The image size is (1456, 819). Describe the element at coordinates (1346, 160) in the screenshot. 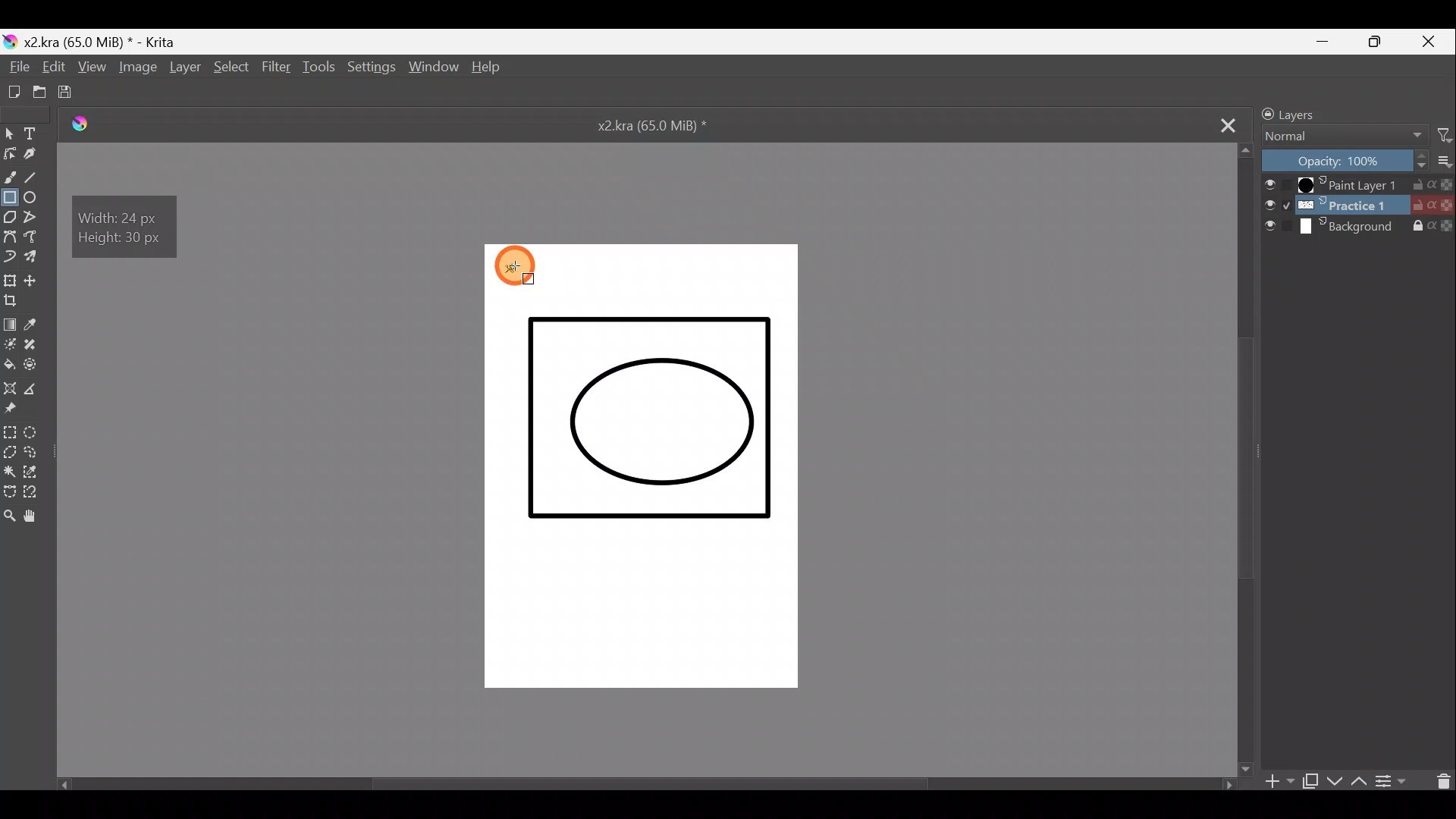

I see `Opacity: 100%` at that location.